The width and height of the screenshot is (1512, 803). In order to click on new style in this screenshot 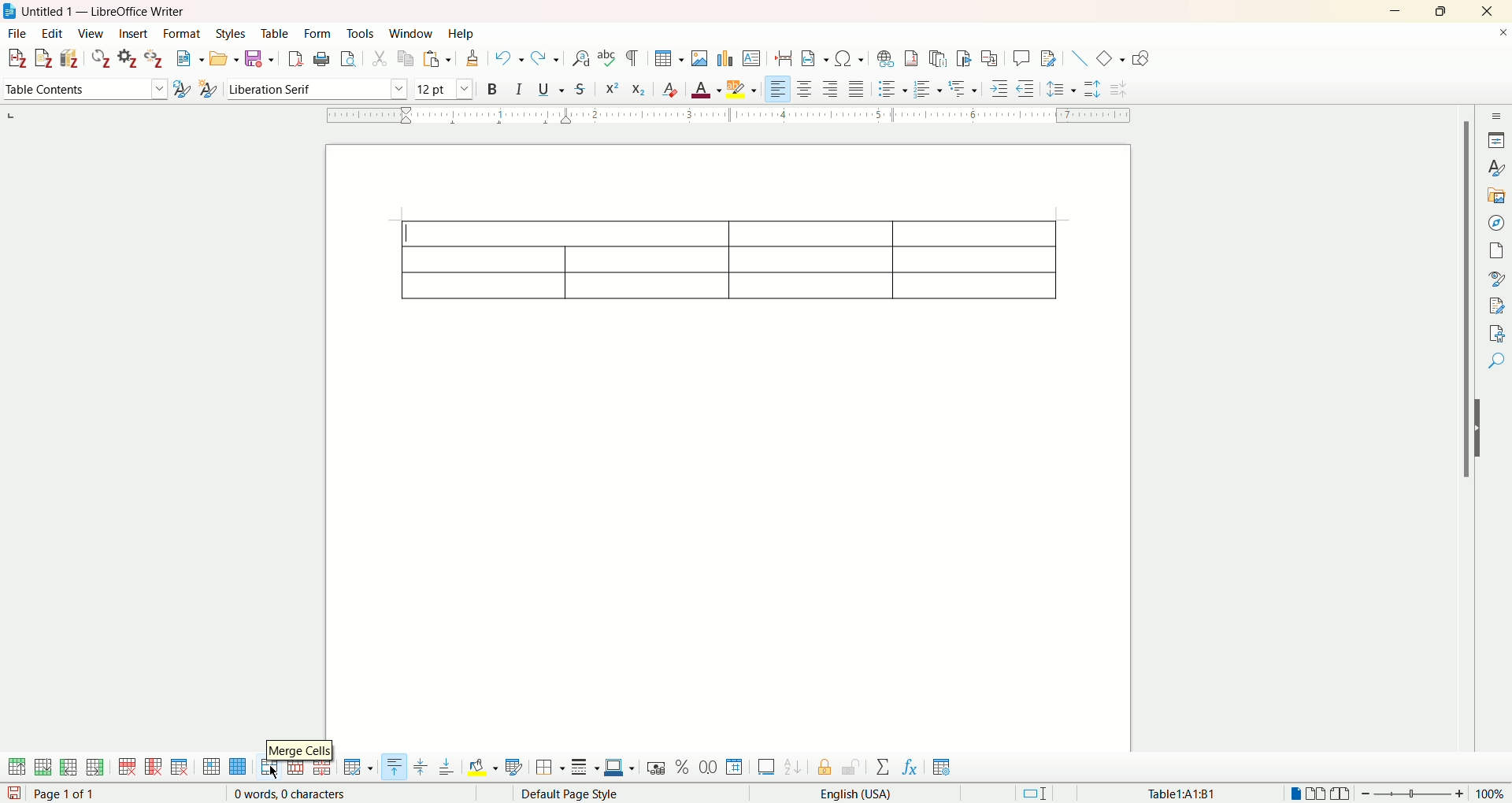, I will do `click(206, 88)`.